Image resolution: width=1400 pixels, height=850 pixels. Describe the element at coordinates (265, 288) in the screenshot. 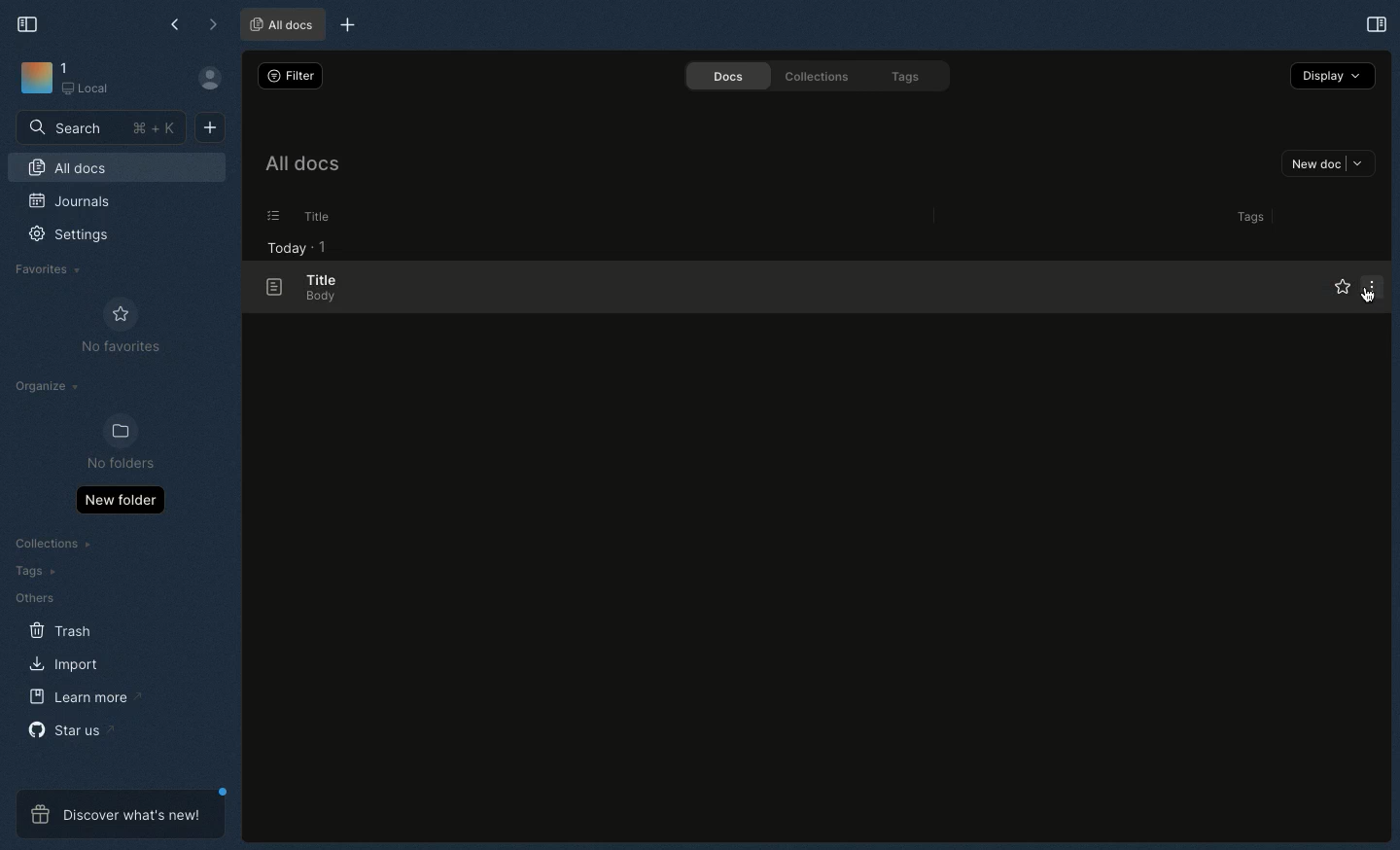

I see `Document` at that location.